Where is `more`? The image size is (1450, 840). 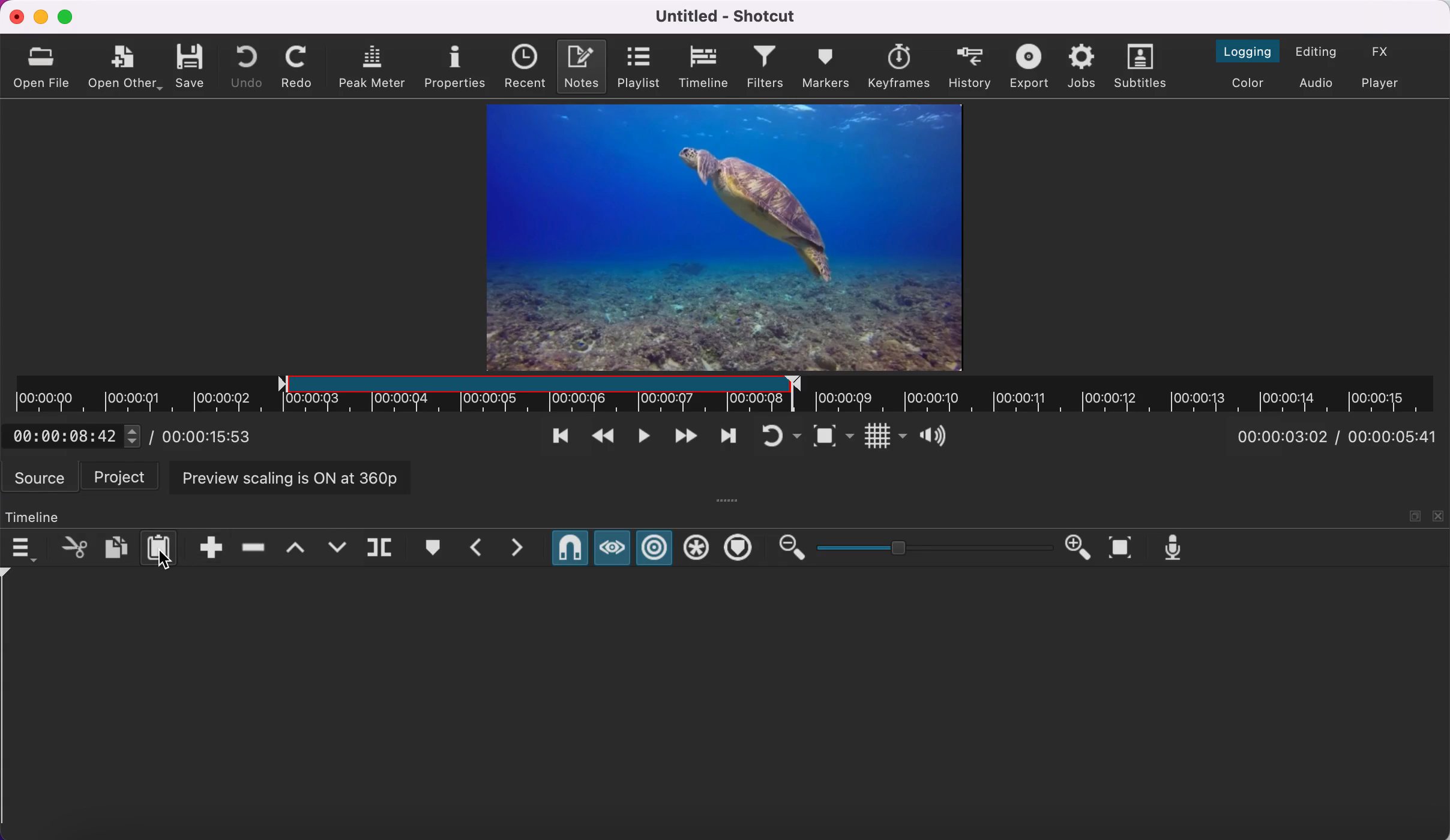
more is located at coordinates (730, 499).